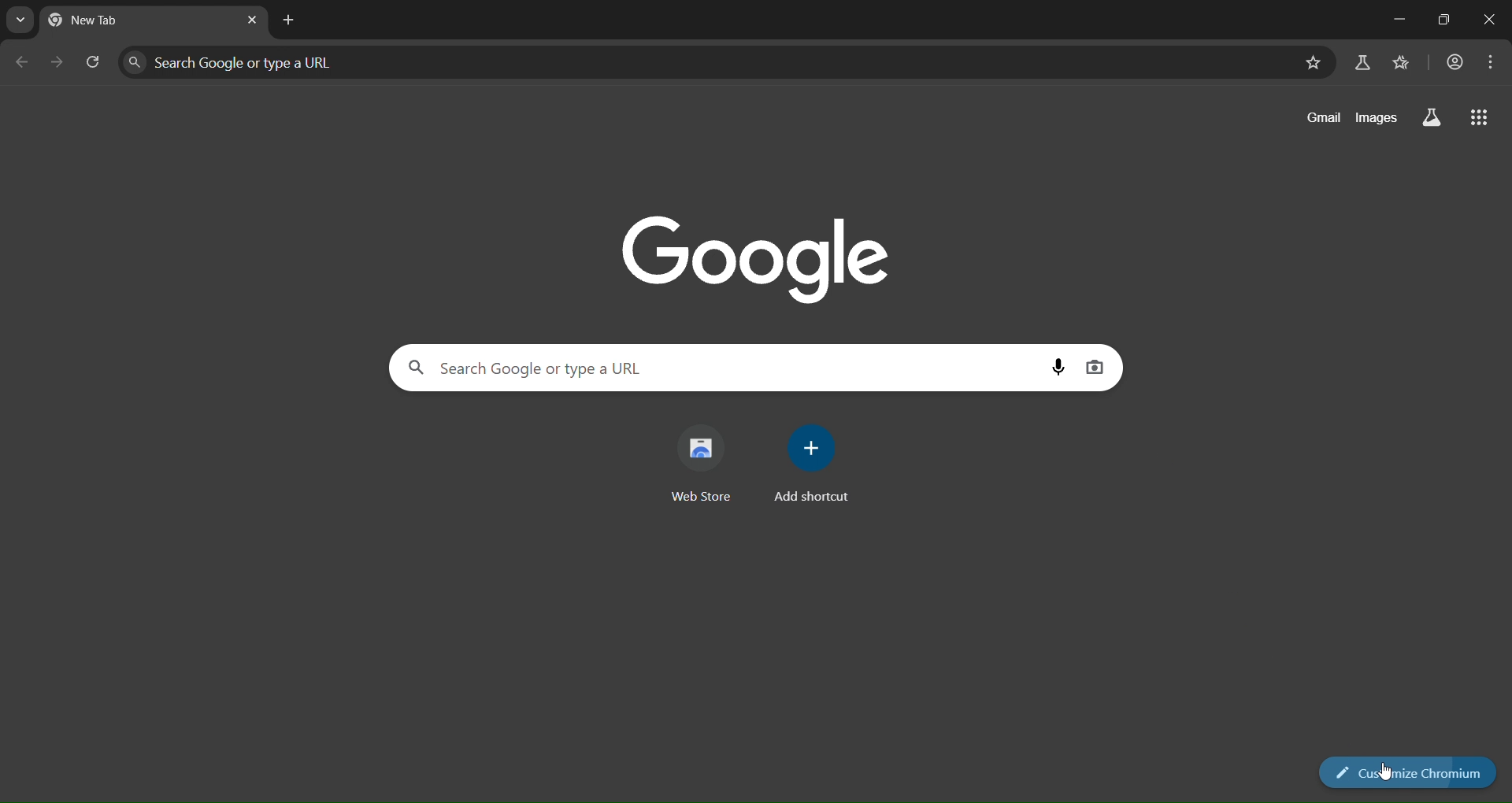 Image resolution: width=1512 pixels, height=803 pixels. Describe the element at coordinates (254, 20) in the screenshot. I see `close tab` at that location.